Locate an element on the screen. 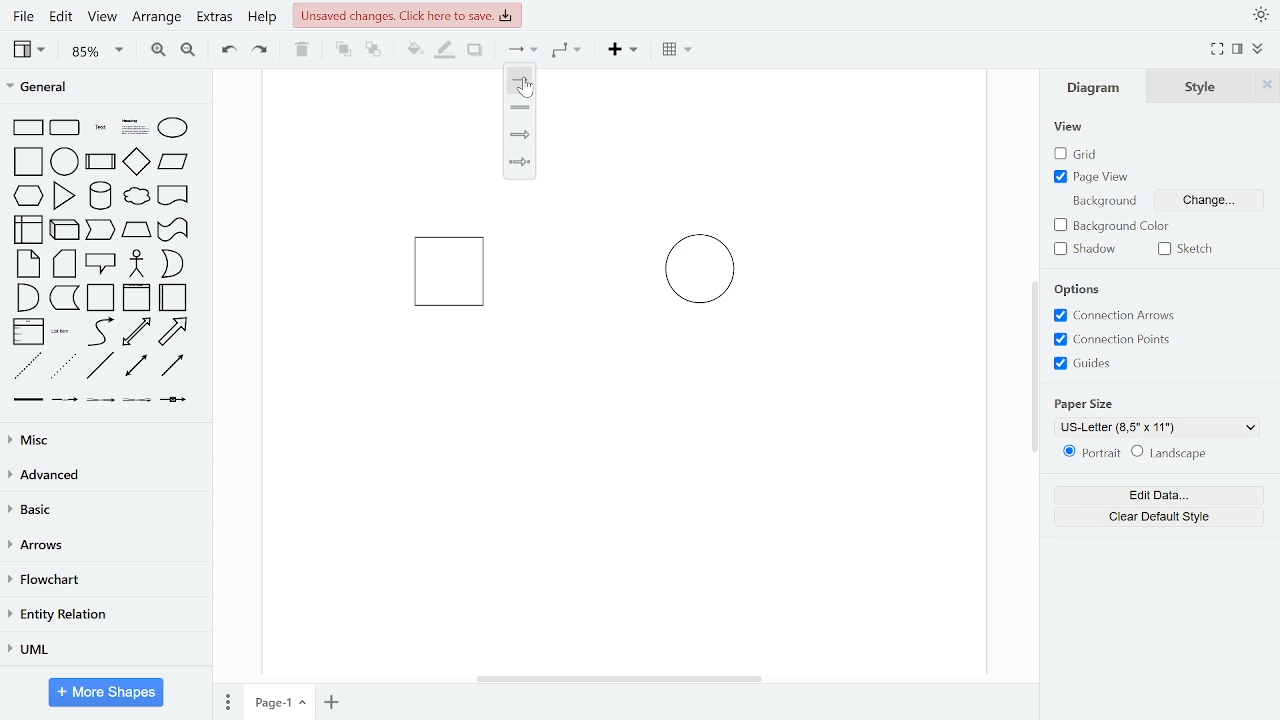 The height and width of the screenshot is (720, 1280). clear default style is located at coordinates (1160, 517).